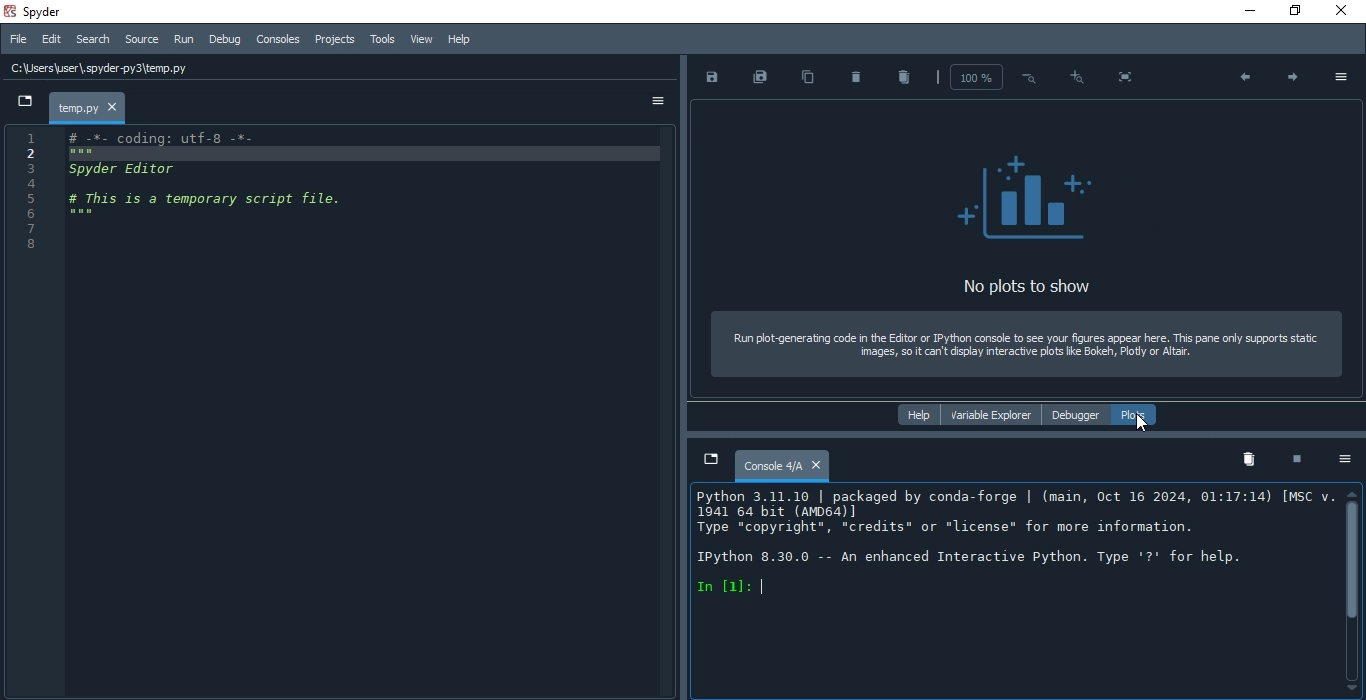 This screenshot has width=1366, height=700. What do you see at coordinates (332, 39) in the screenshot?
I see `Projects` at bounding box center [332, 39].